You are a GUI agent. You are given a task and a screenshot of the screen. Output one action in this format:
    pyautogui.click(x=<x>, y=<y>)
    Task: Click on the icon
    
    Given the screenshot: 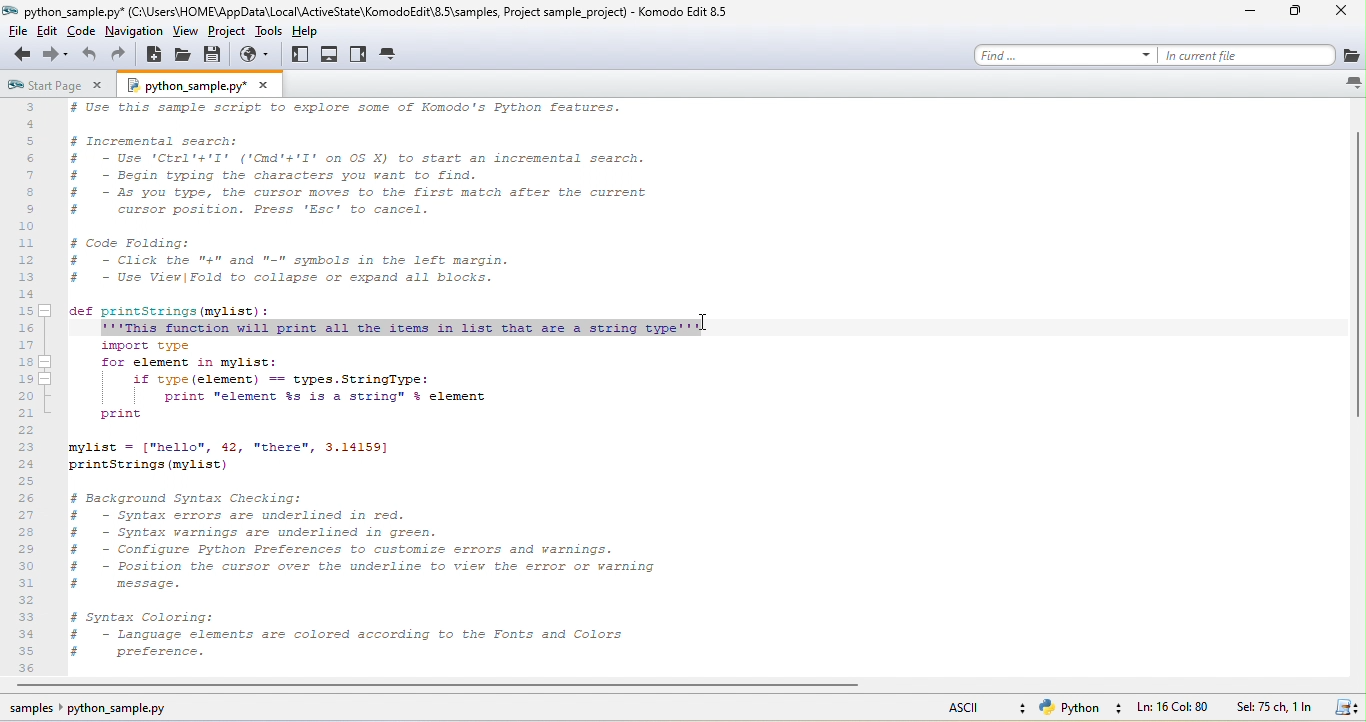 What is the action you would take?
    pyautogui.click(x=1350, y=56)
    